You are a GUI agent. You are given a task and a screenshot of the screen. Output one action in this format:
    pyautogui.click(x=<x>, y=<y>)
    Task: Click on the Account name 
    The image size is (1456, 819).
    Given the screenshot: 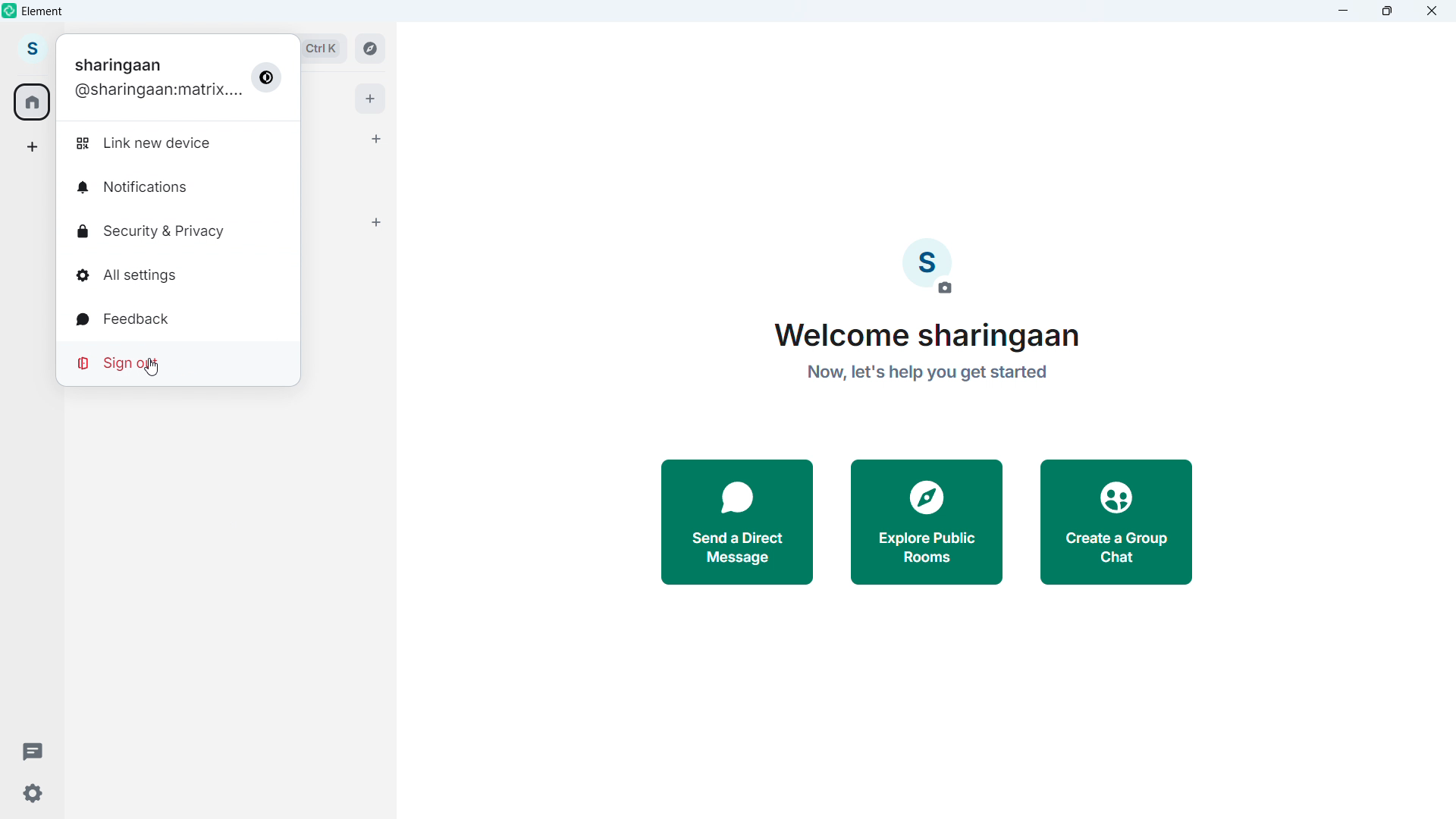 What is the action you would take?
    pyautogui.click(x=118, y=65)
    